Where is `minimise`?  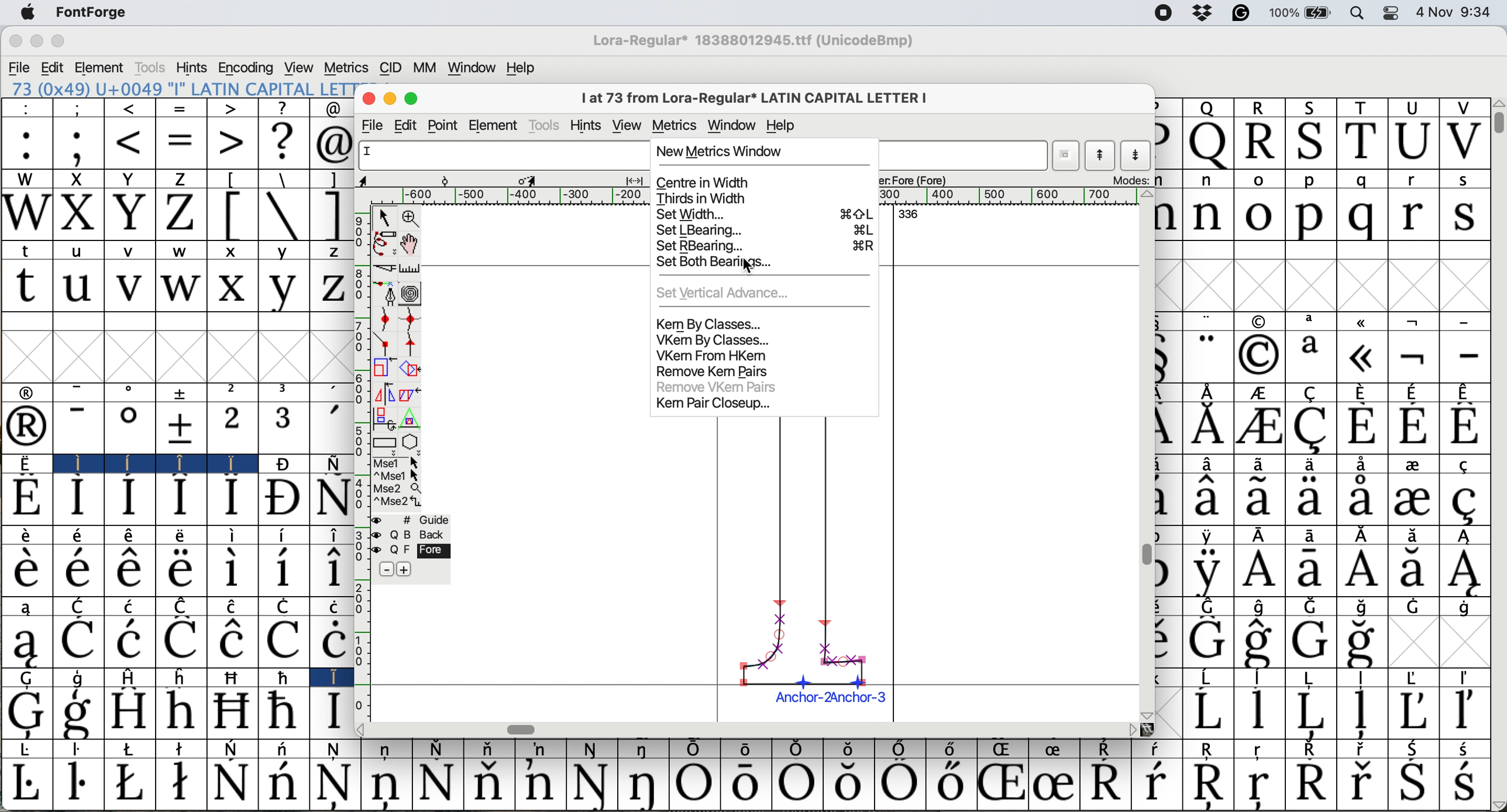
minimise is located at coordinates (388, 99).